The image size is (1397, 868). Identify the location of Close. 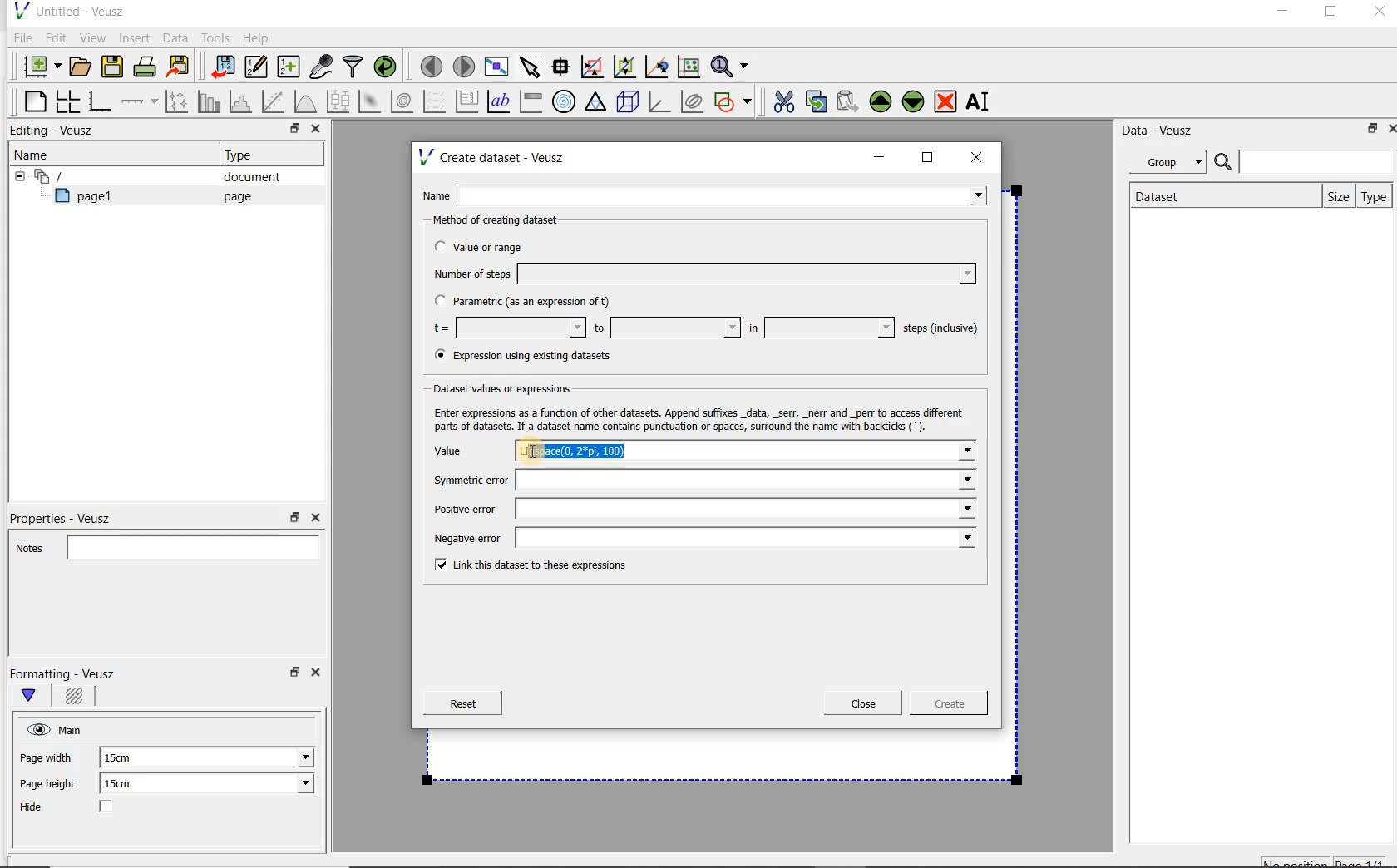
(1389, 127).